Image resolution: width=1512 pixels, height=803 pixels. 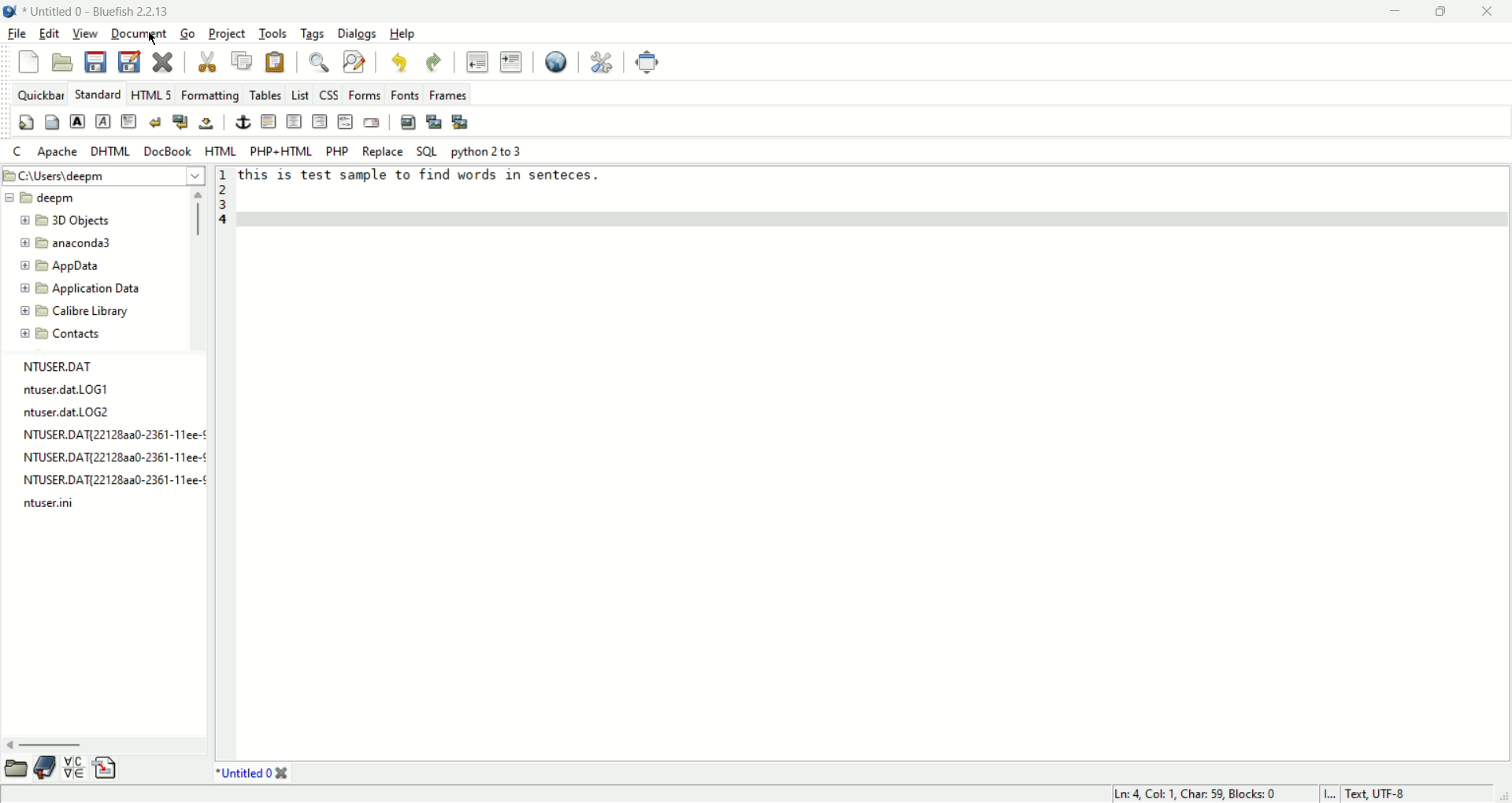 What do you see at coordinates (25, 122) in the screenshot?
I see `Quickstart` at bounding box center [25, 122].